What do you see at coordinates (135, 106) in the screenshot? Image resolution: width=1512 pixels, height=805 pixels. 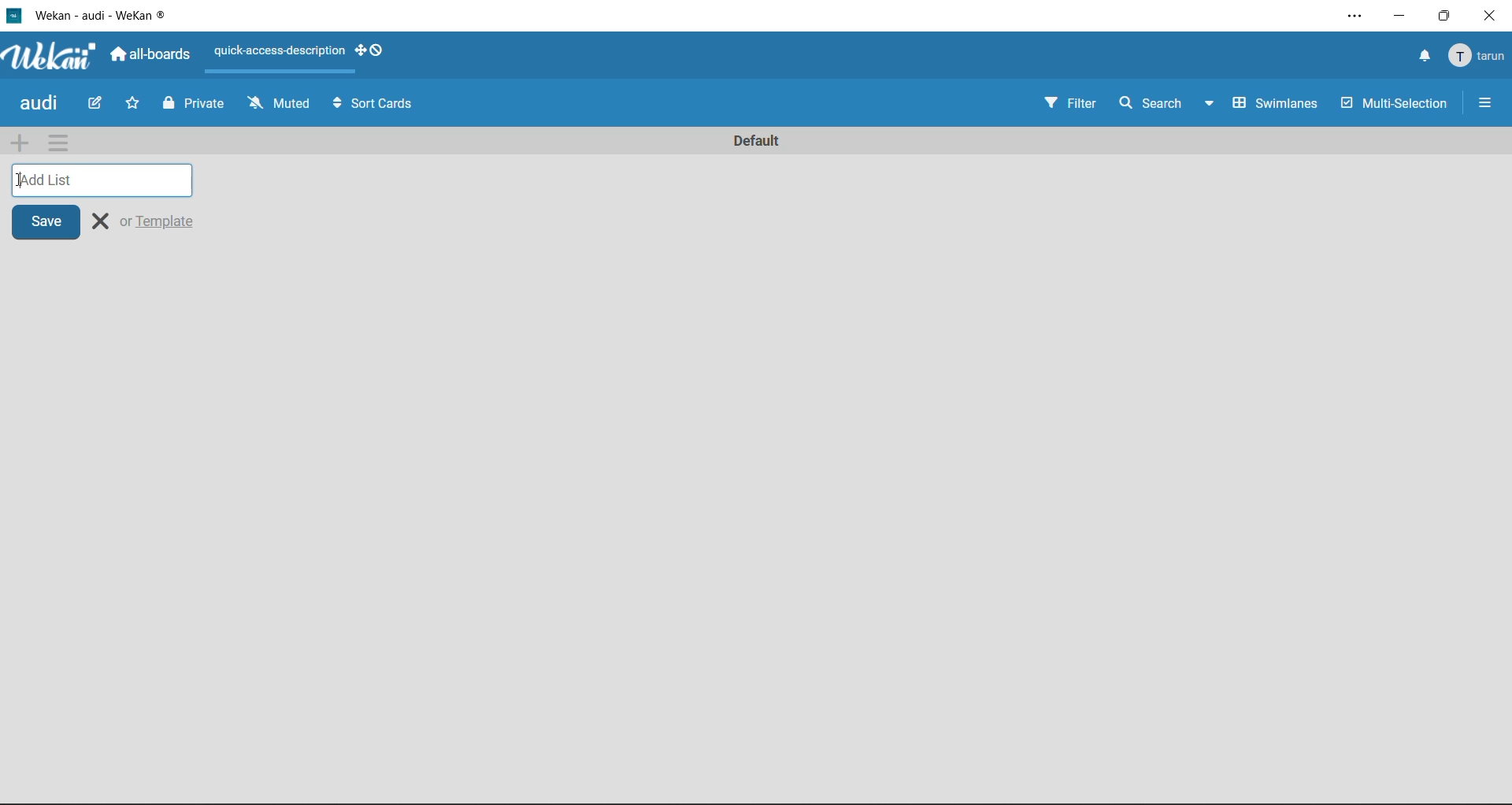 I see `Favorite` at bounding box center [135, 106].